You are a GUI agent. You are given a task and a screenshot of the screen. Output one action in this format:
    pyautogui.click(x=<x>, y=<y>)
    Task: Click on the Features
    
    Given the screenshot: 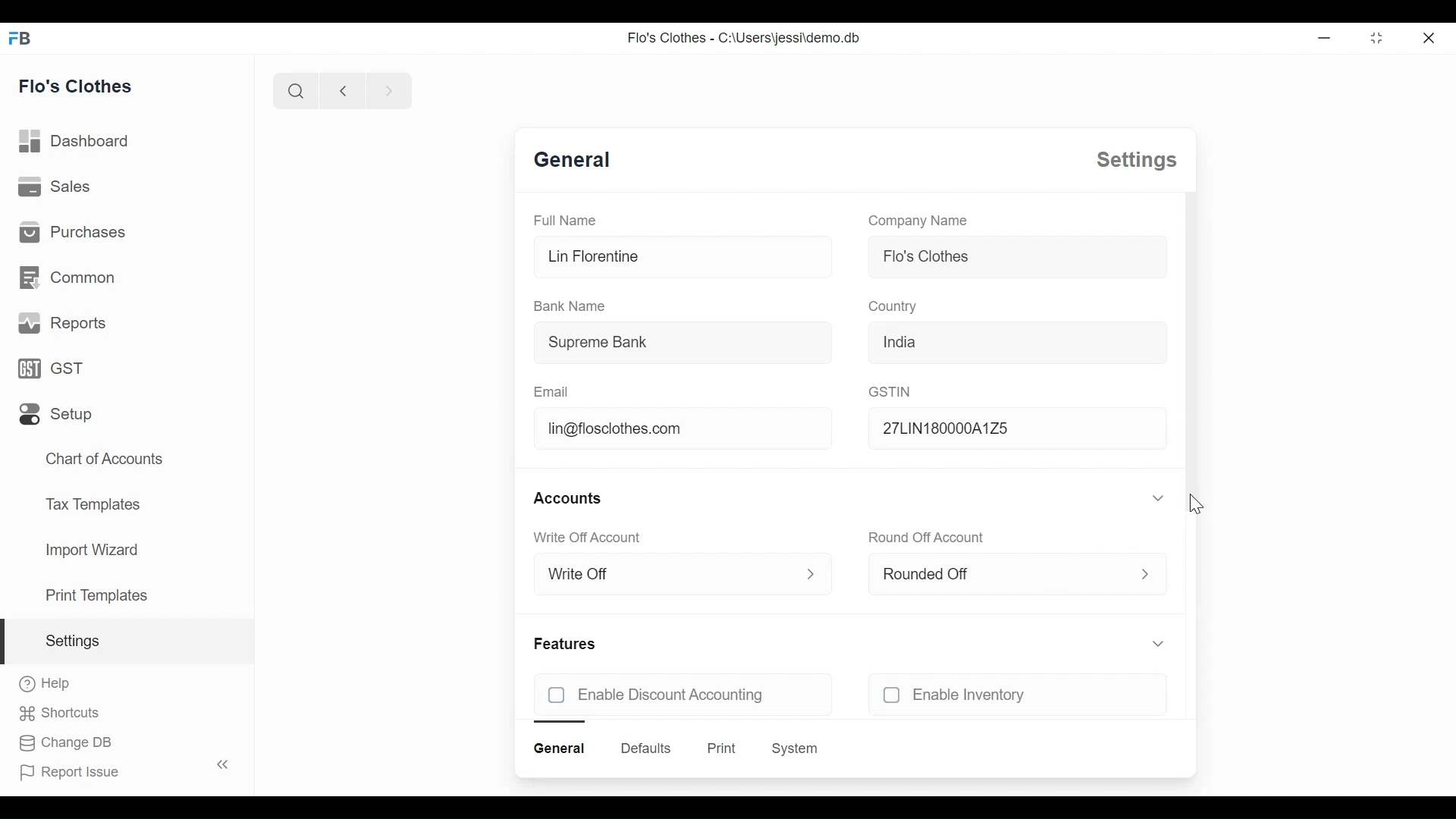 What is the action you would take?
    pyautogui.click(x=566, y=644)
    